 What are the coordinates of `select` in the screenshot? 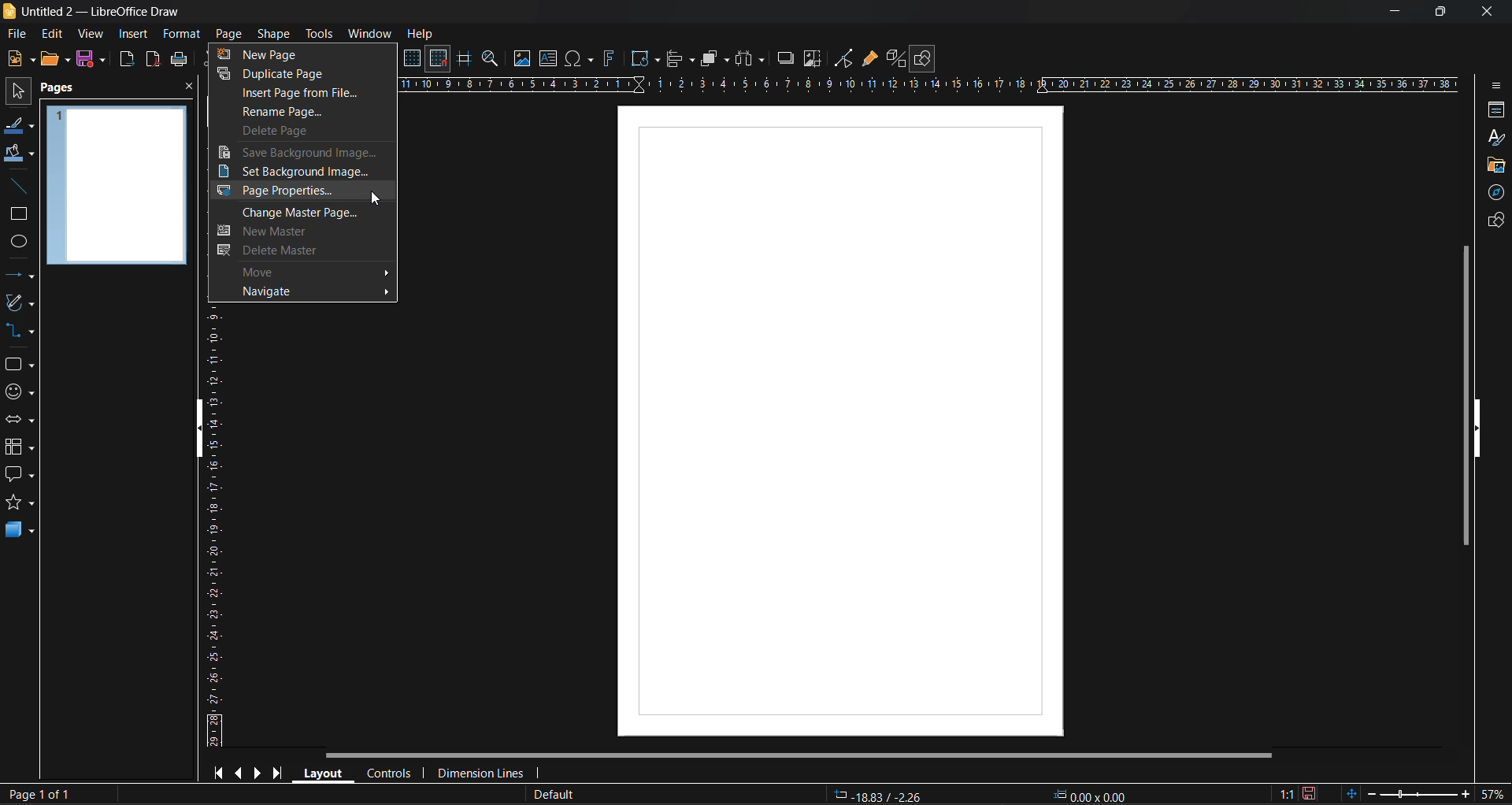 It's located at (20, 94).